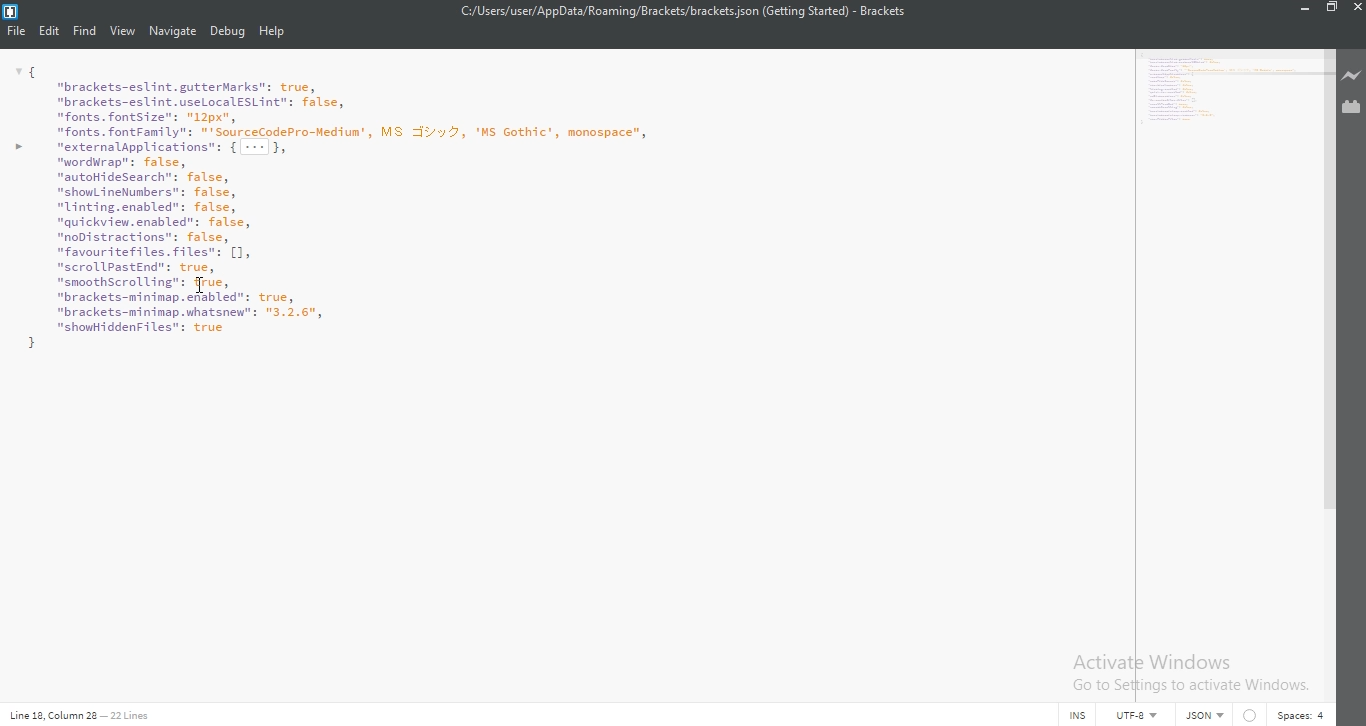  What do you see at coordinates (85, 32) in the screenshot?
I see `Find` at bounding box center [85, 32].